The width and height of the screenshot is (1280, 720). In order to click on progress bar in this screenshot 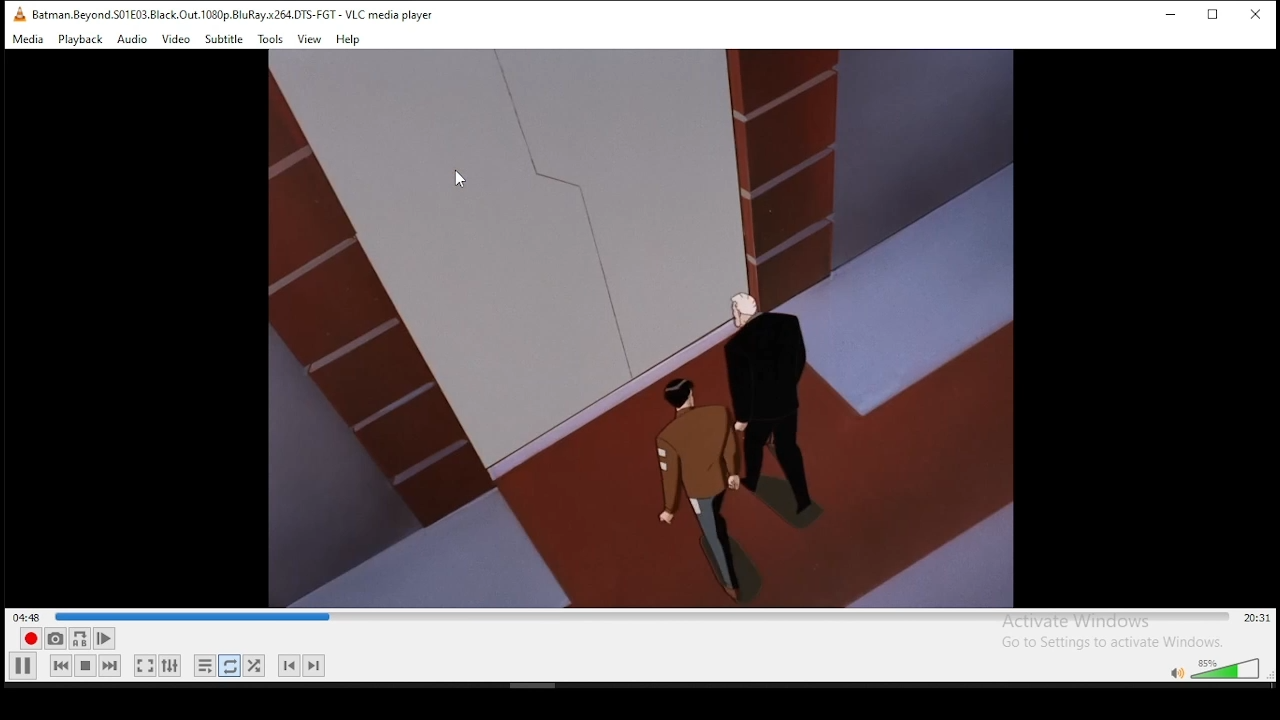, I will do `click(643, 616)`.